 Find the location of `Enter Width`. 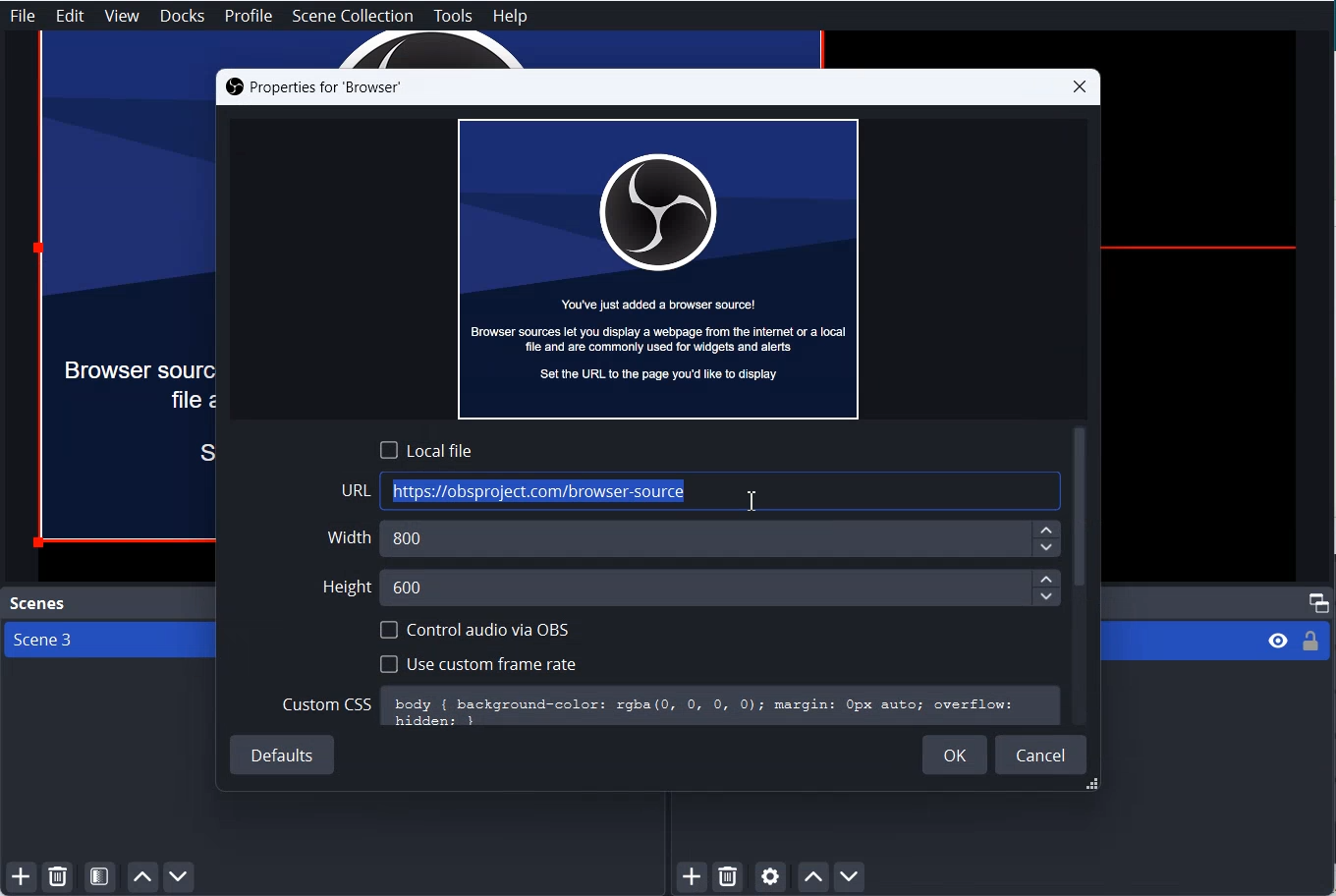

Enter Width is located at coordinates (696, 538).